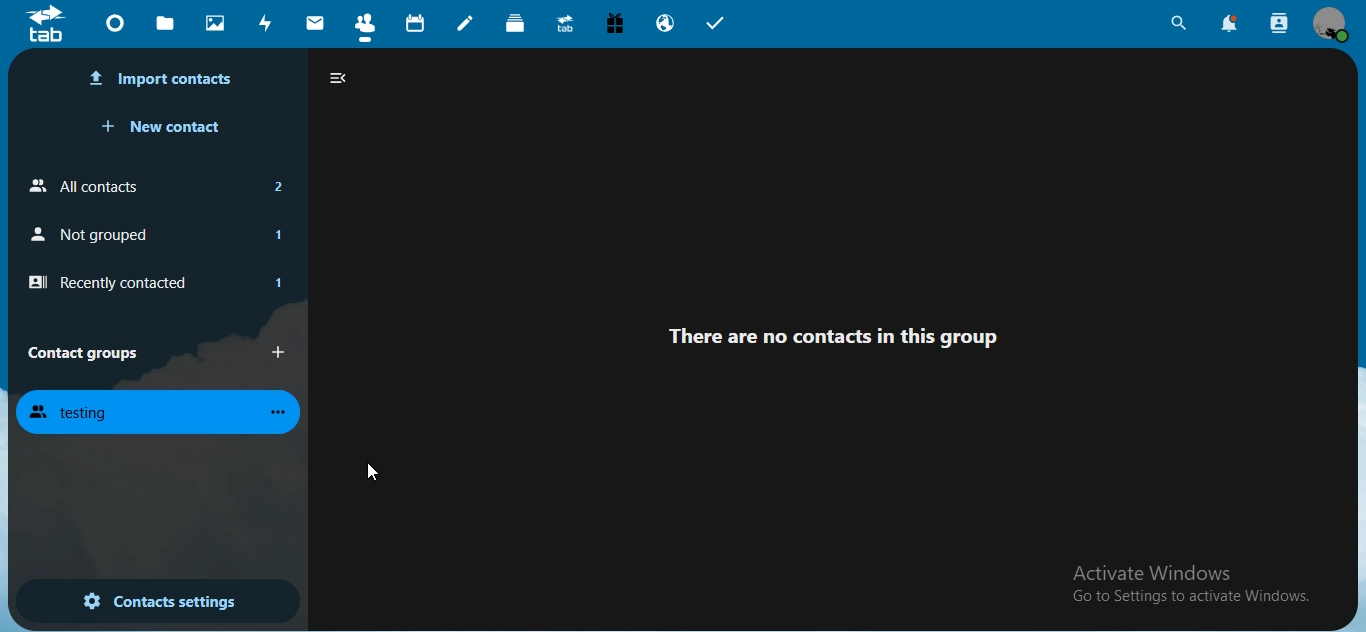  What do you see at coordinates (152, 232) in the screenshot?
I see `not grouped` at bounding box center [152, 232].